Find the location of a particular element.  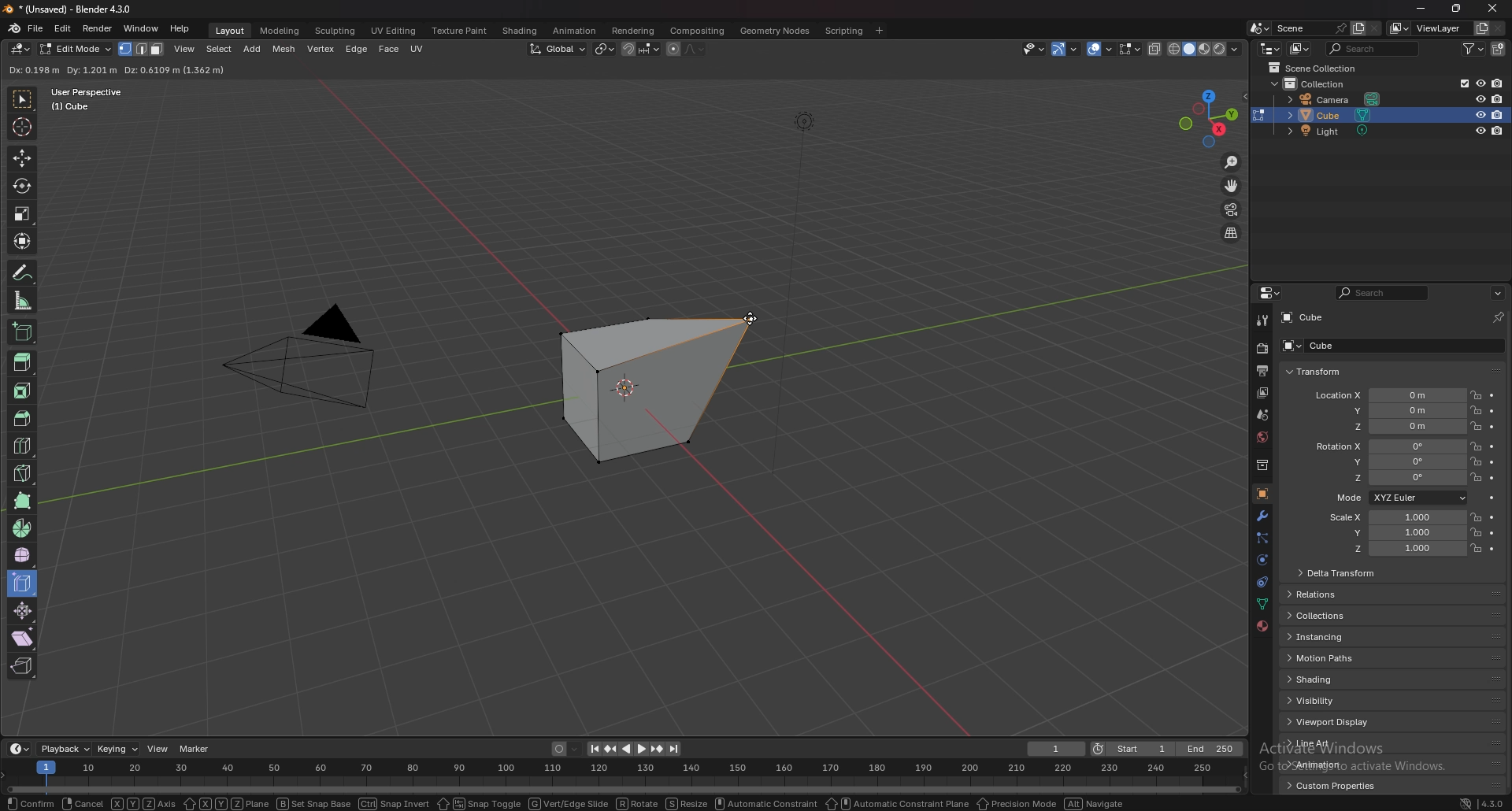

spin is located at coordinates (22, 529).